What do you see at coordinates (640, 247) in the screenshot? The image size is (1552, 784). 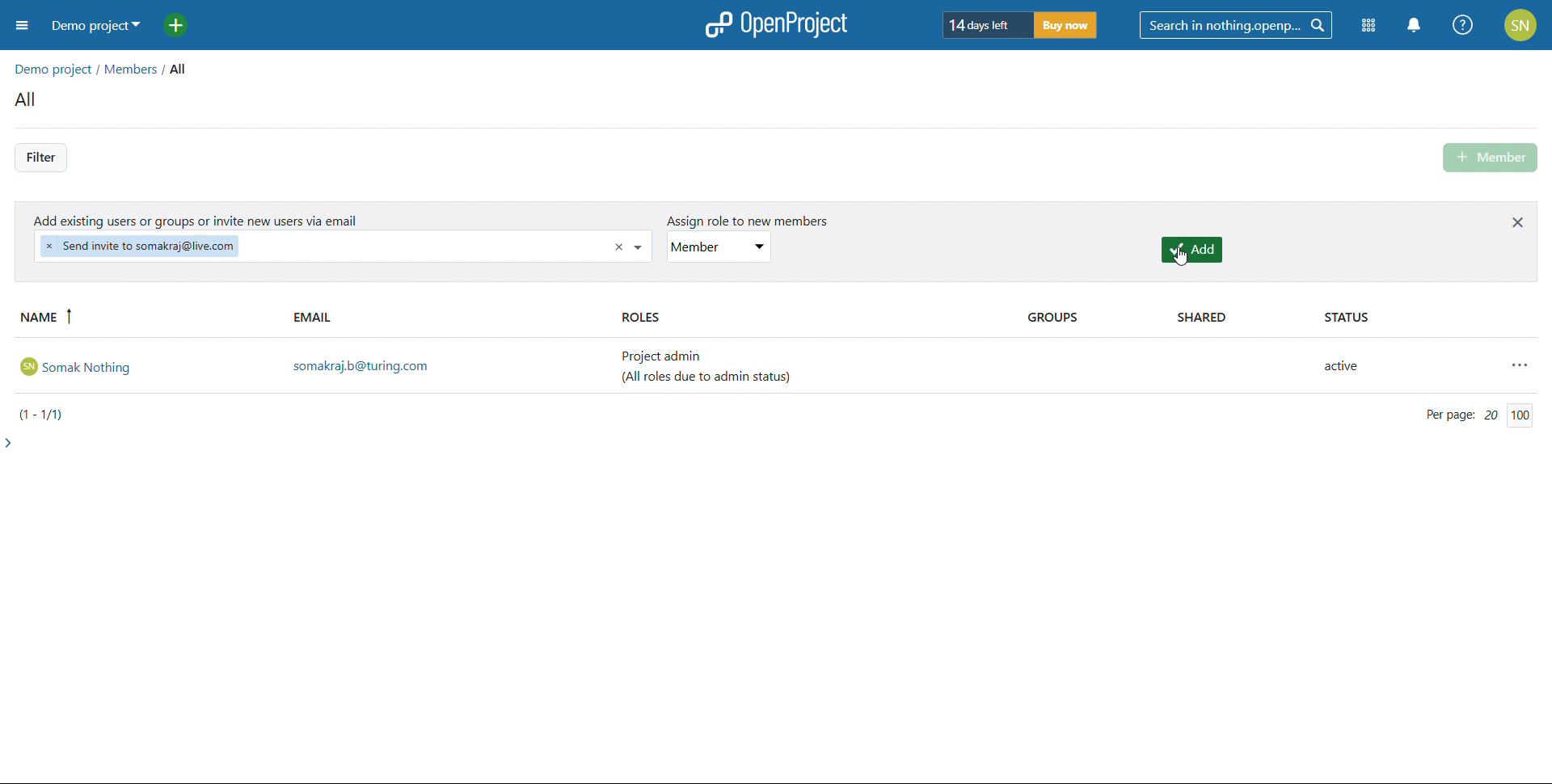 I see `close drop down` at bounding box center [640, 247].